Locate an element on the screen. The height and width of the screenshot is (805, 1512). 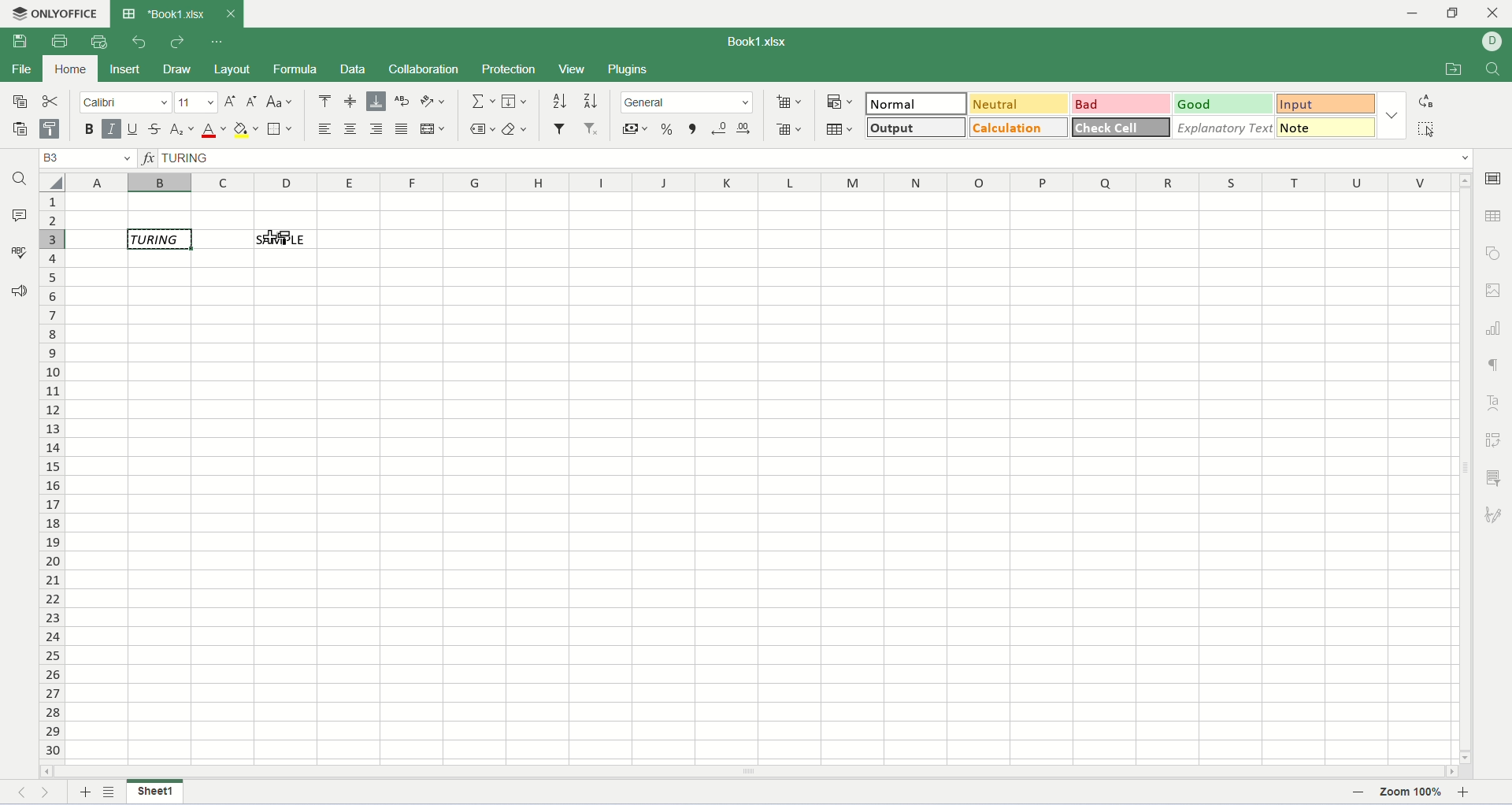
input is located at coordinates (1329, 104).